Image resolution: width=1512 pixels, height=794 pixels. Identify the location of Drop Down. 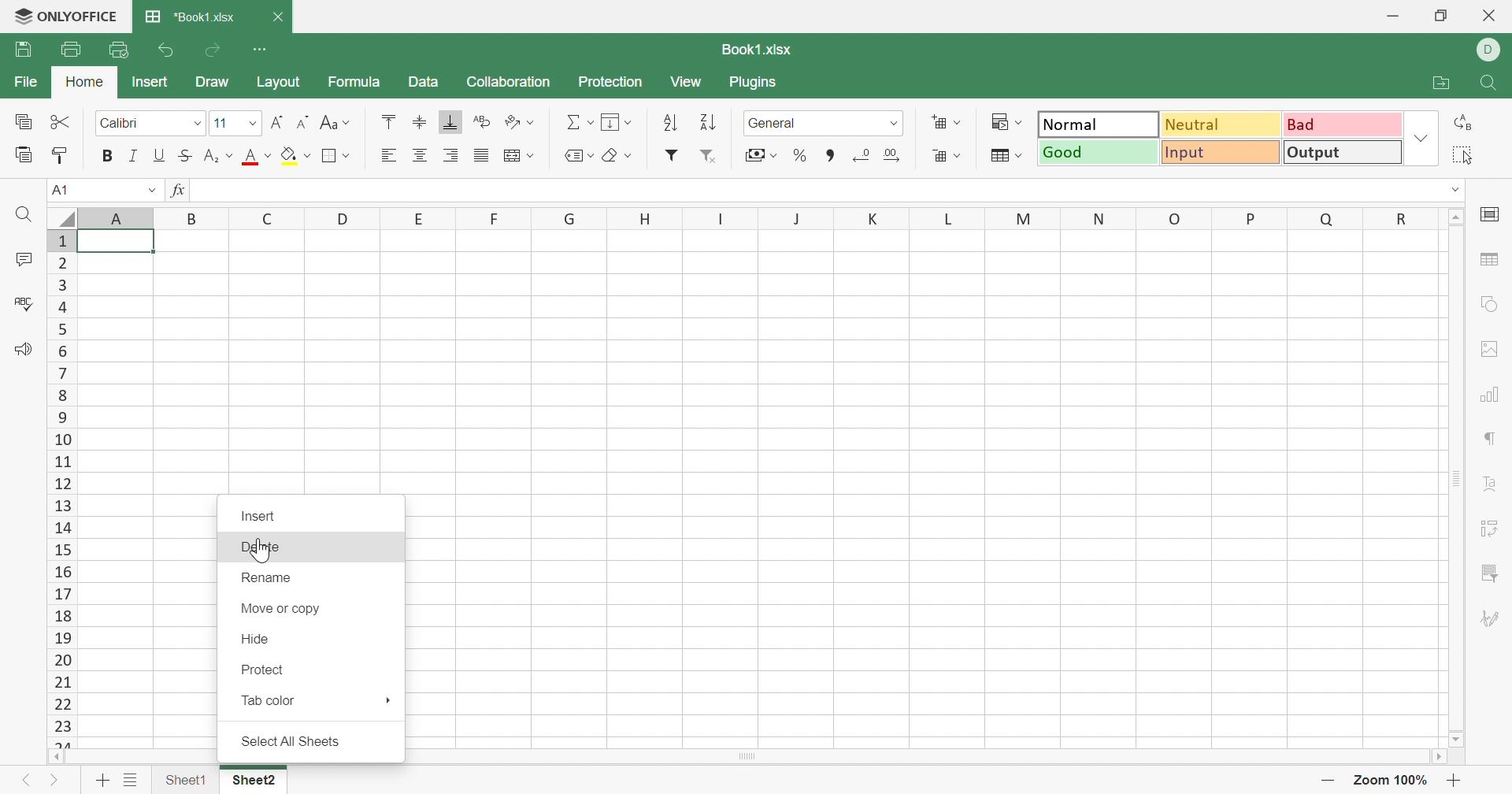
(958, 122).